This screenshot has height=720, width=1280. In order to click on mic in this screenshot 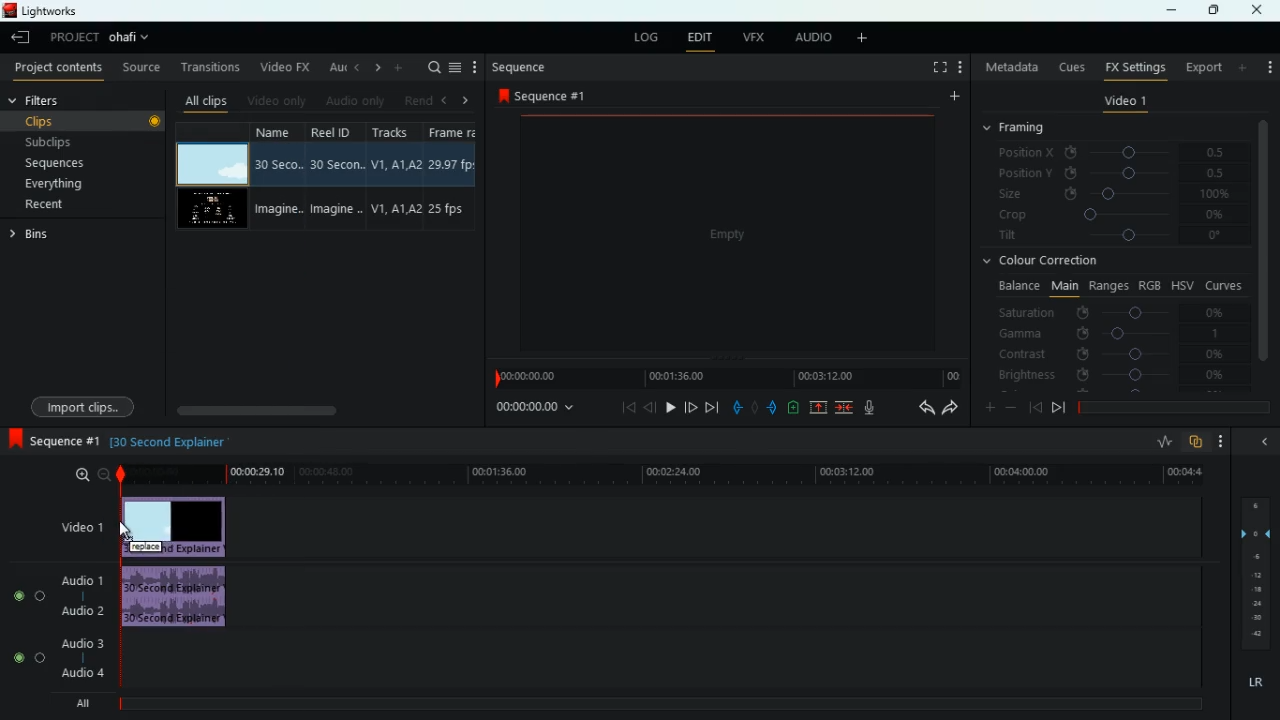, I will do `click(866, 408)`.